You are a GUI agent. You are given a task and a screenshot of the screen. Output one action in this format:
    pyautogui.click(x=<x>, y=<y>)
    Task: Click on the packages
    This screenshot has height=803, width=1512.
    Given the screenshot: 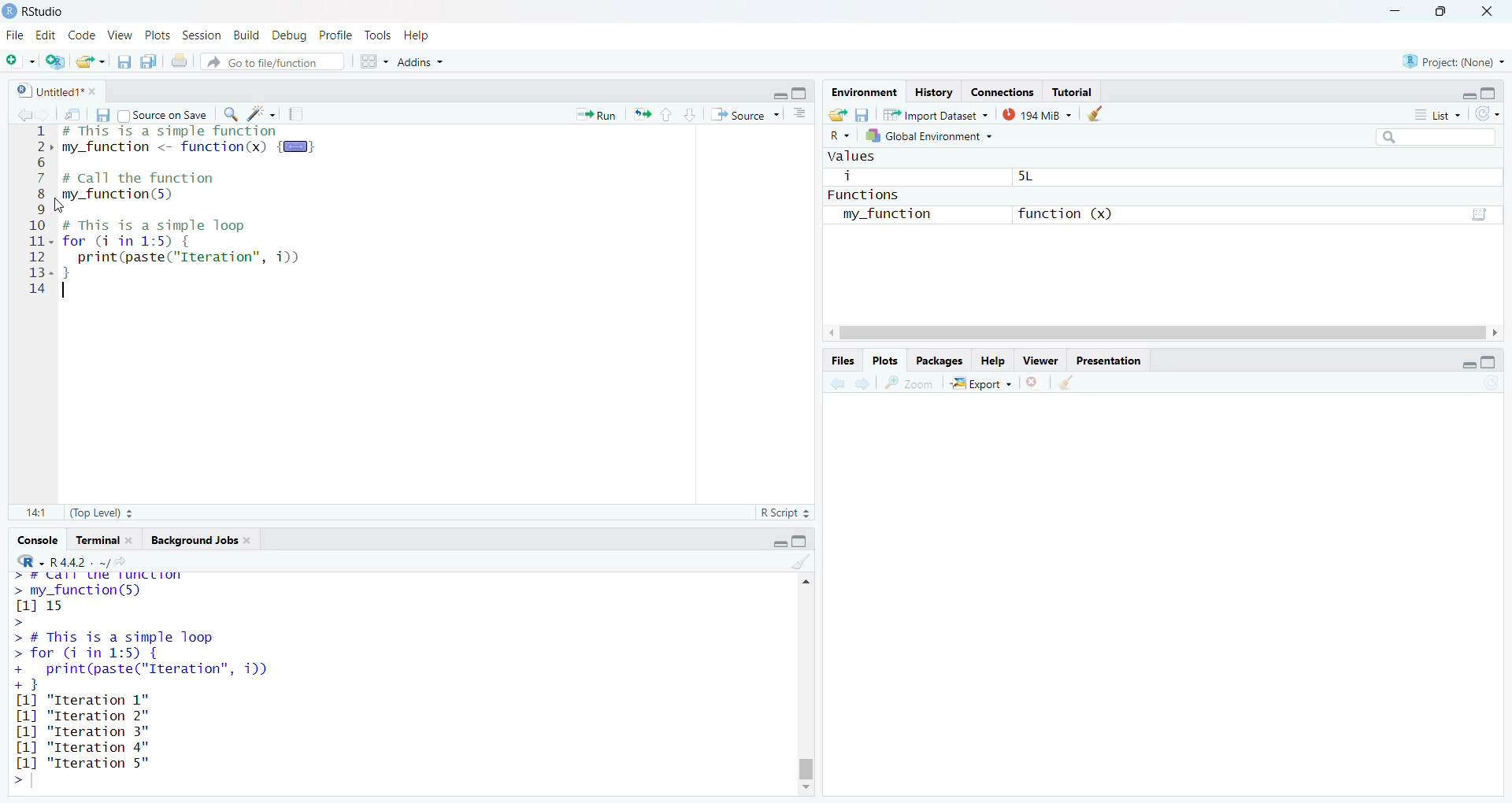 What is the action you would take?
    pyautogui.click(x=942, y=360)
    